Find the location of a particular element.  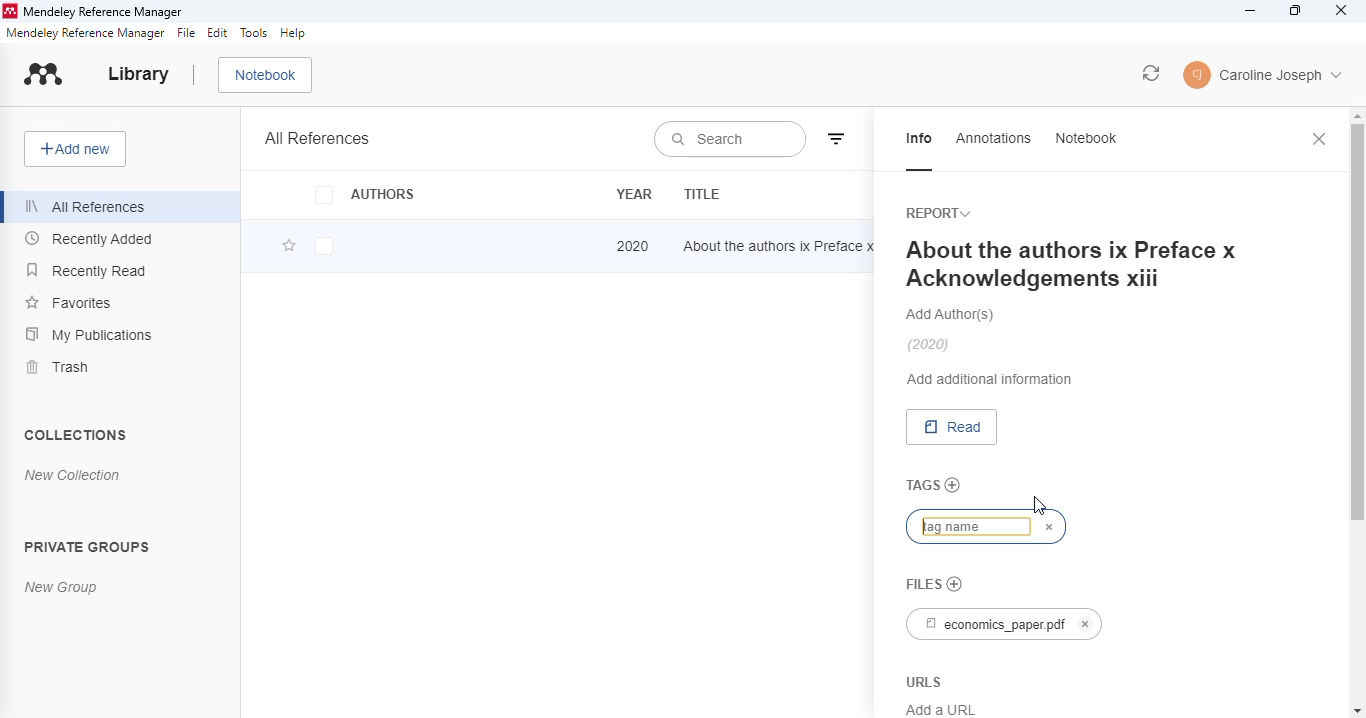

private groups is located at coordinates (87, 545).